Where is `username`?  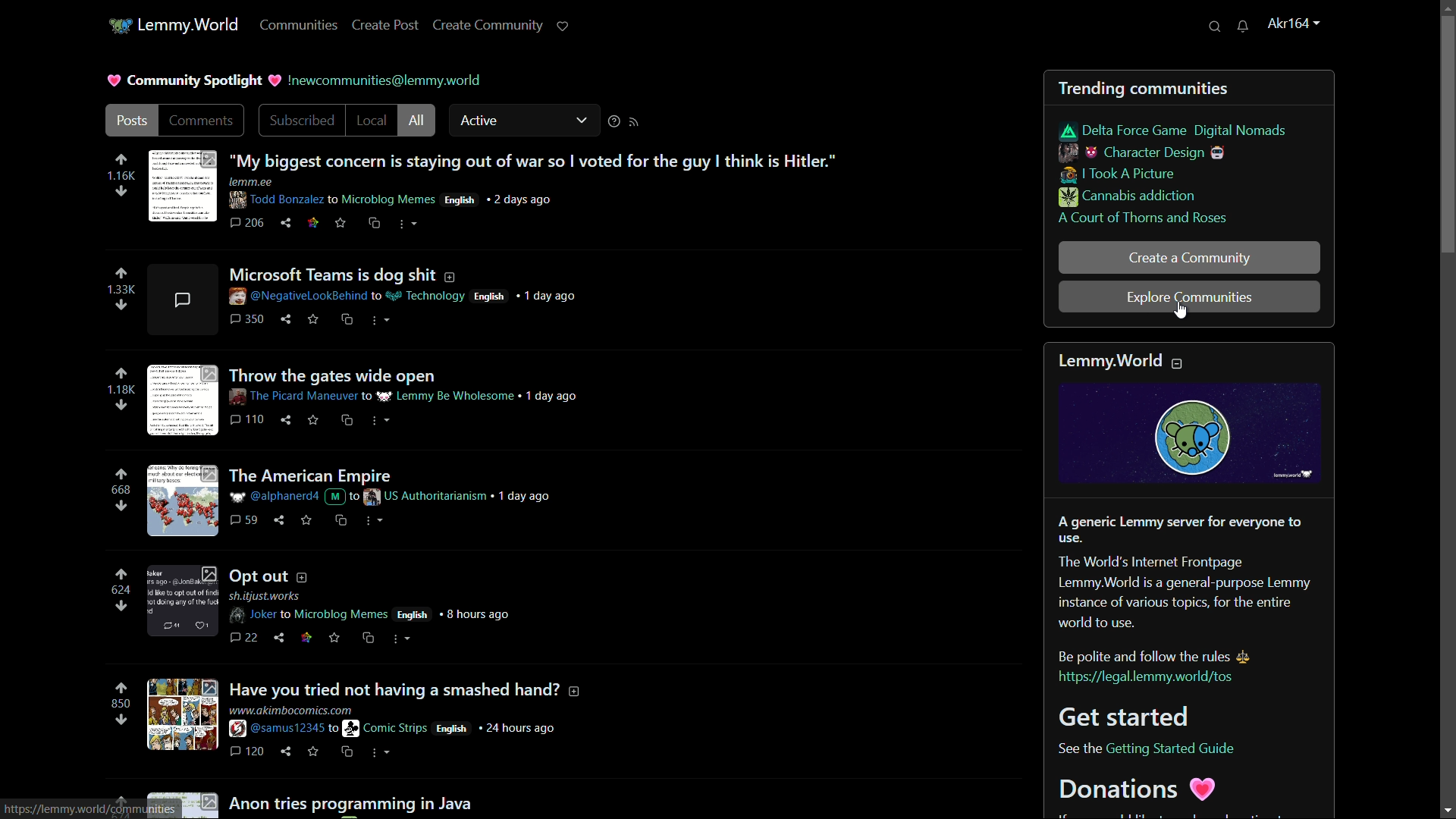
username is located at coordinates (1294, 25).